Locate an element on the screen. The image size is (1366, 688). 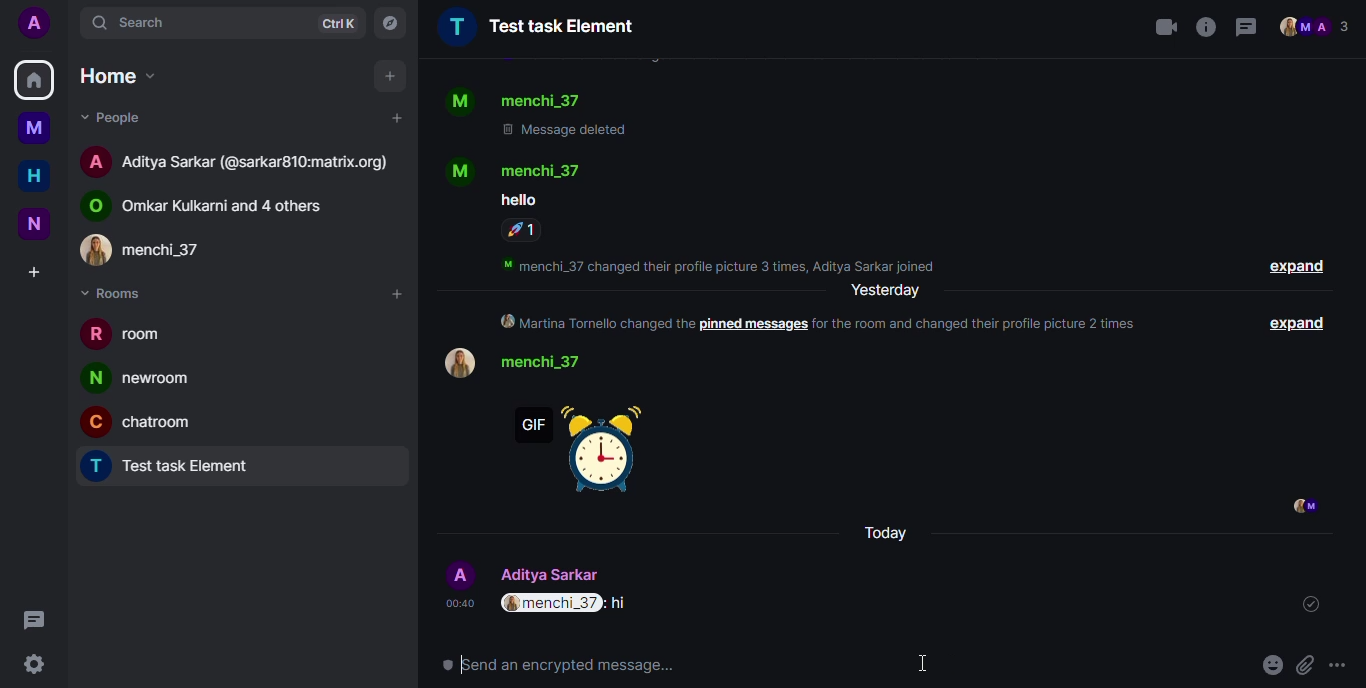
reaction is located at coordinates (521, 232).